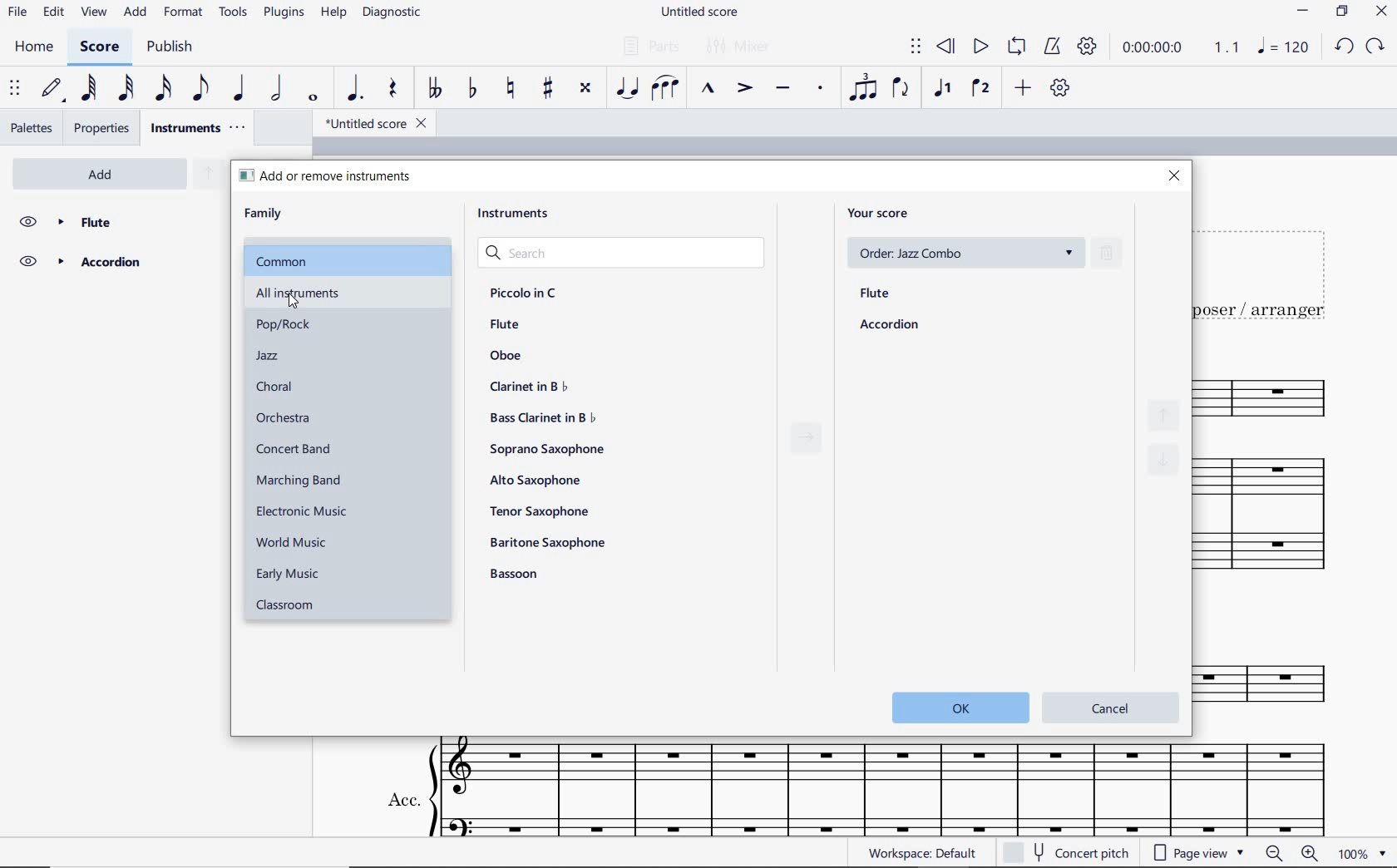 The width and height of the screenshot is (1397, 868). Describe the element at coordinates (392, 13) in the screenshot. I see `diagnostic` at that location.